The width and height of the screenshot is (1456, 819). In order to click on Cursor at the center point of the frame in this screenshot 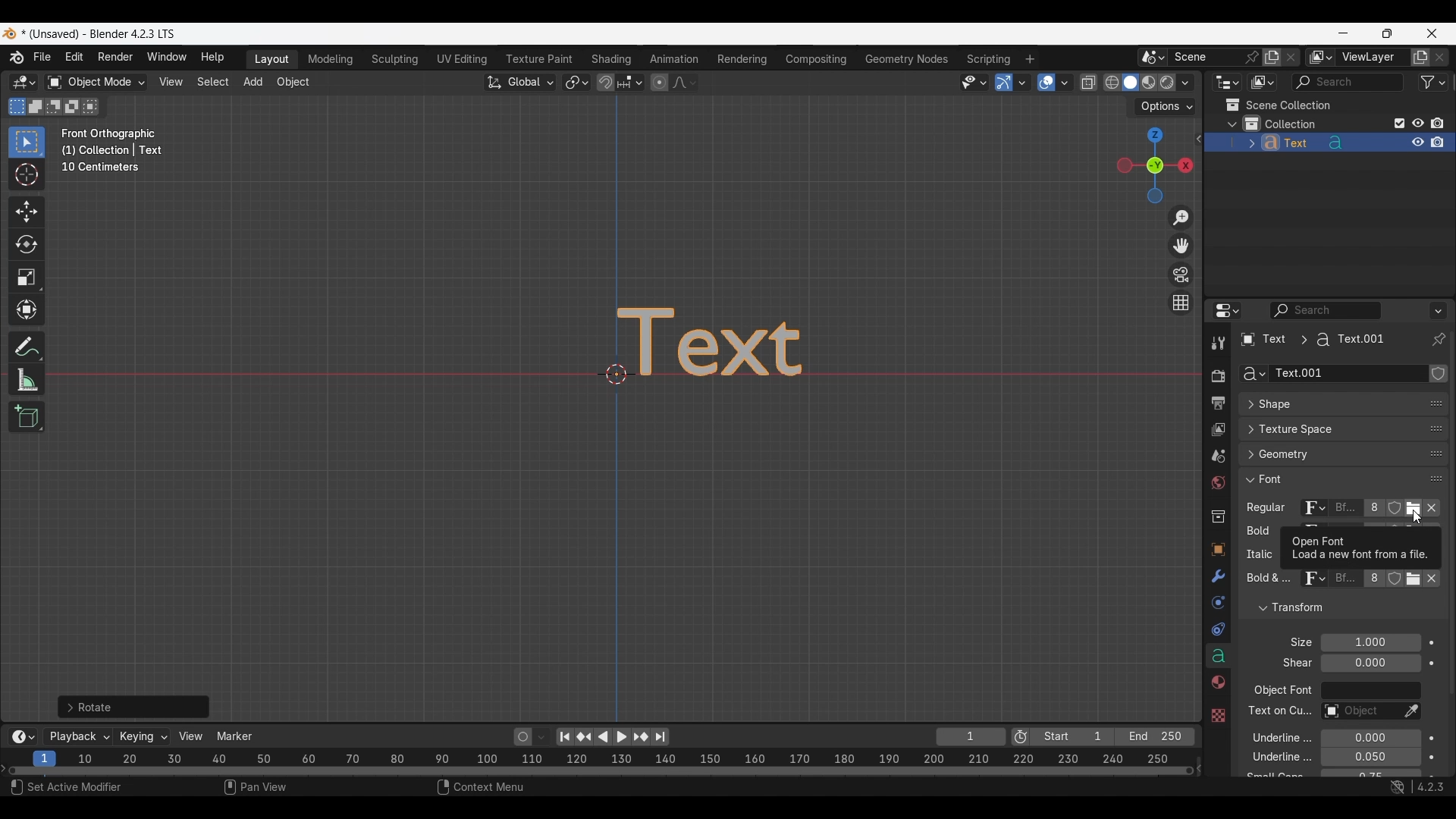, I will do `click(617, 373)`.